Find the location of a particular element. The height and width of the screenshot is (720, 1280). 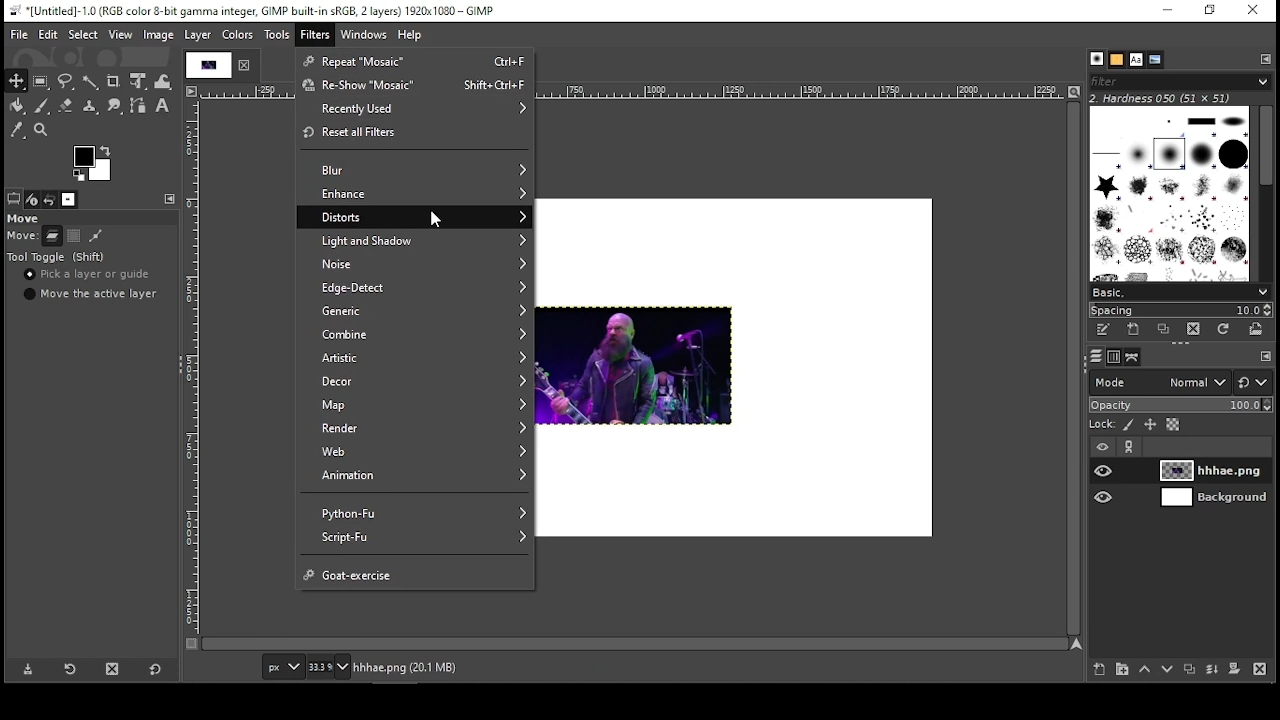

distorts is located at coordinates (412, 217).